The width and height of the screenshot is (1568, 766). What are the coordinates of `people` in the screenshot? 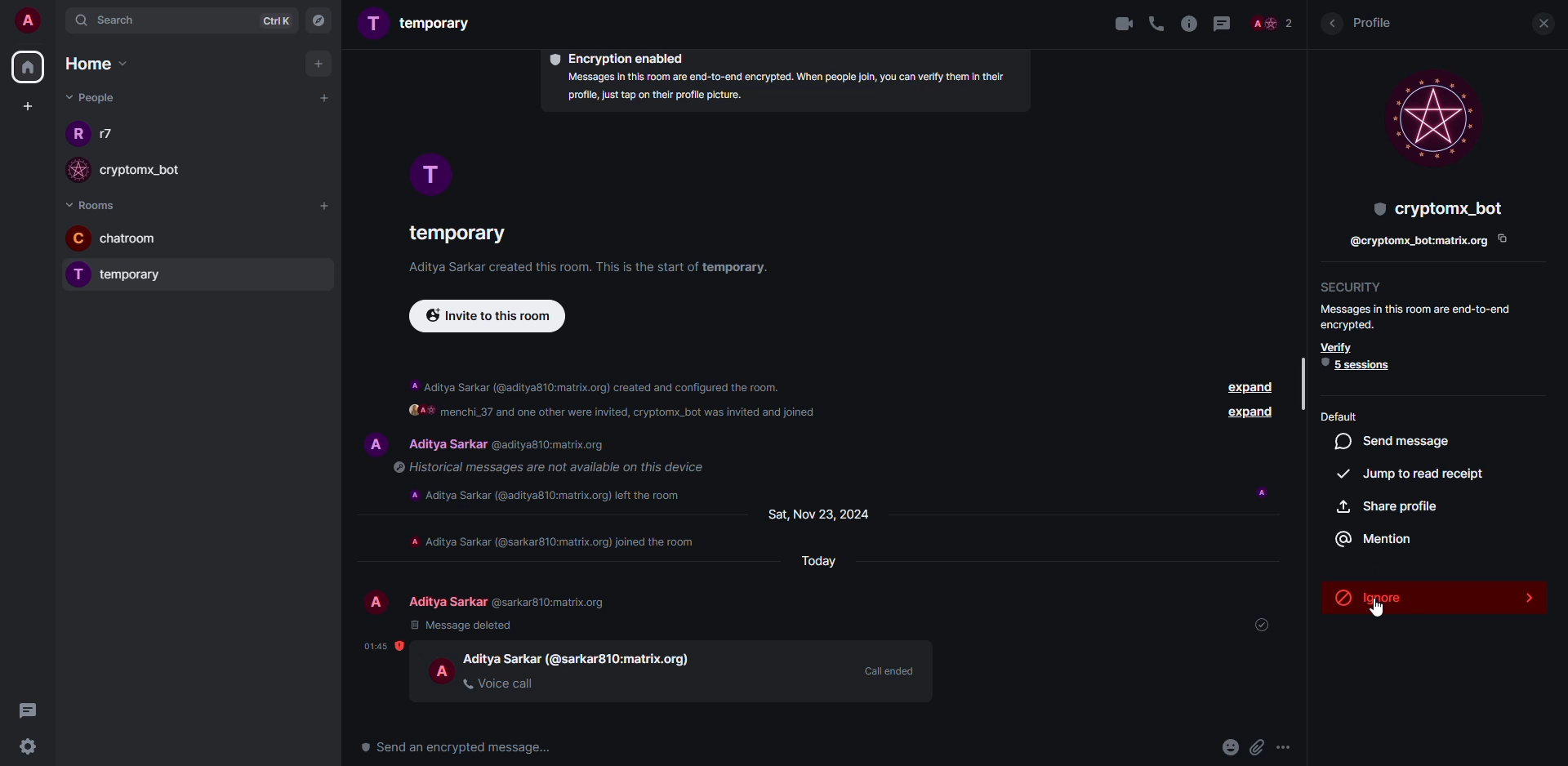 It's located at (513, 445).